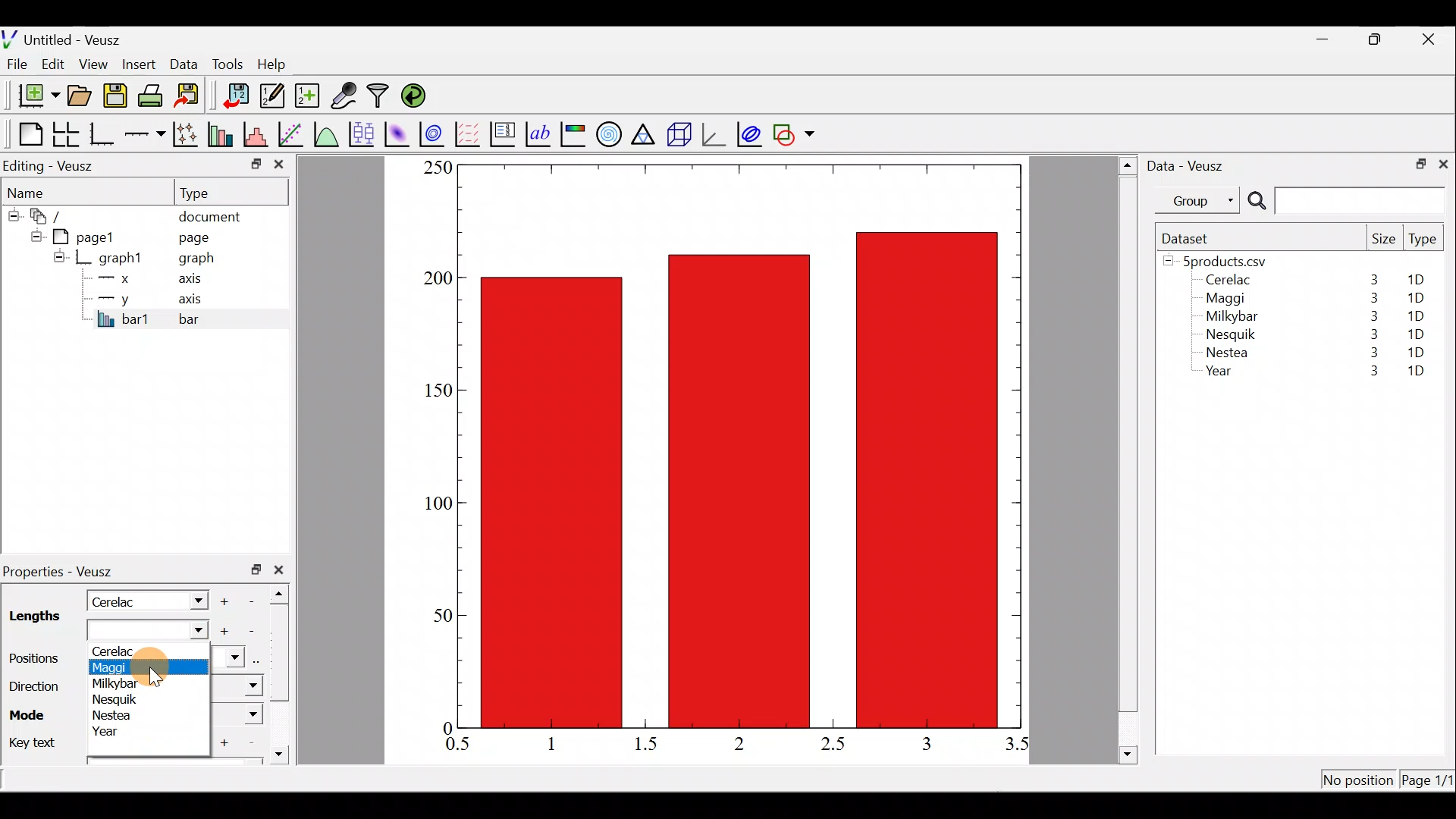 Image resolution: width=1456 pixels, height=819 pixels. I want to click on minimize, so click(1330, 38).